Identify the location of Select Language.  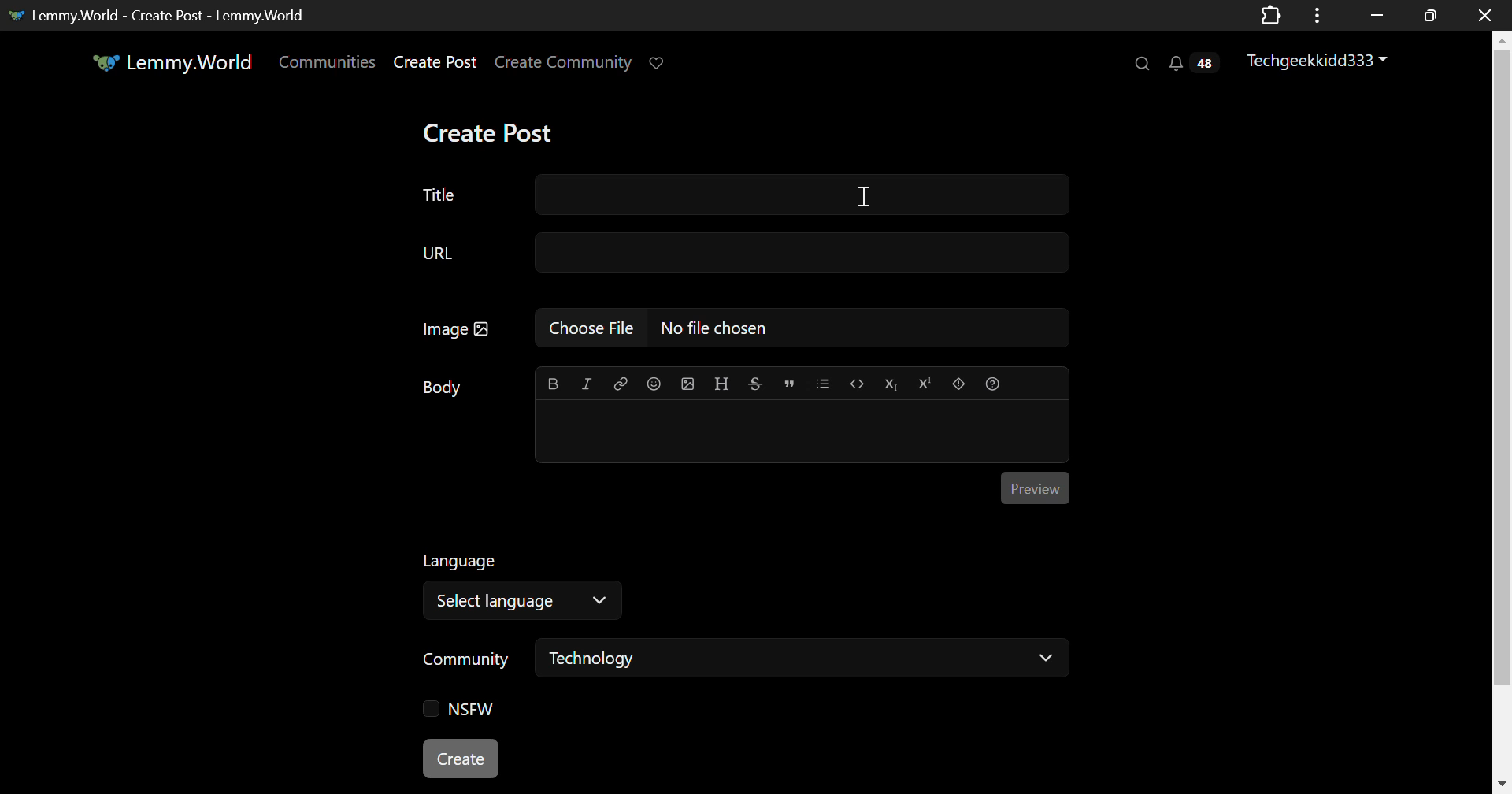
(526, 601).